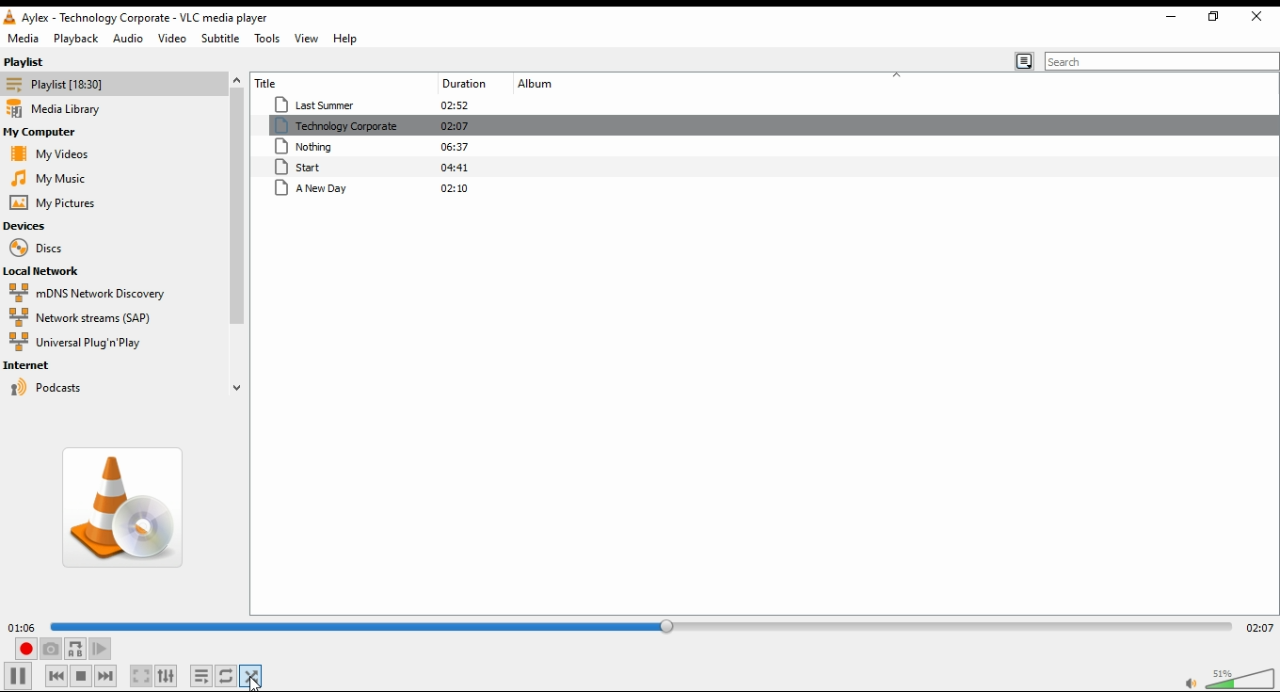  Describe the element at coordinates (299, 83) in the screenshot. I see `title` at that location.